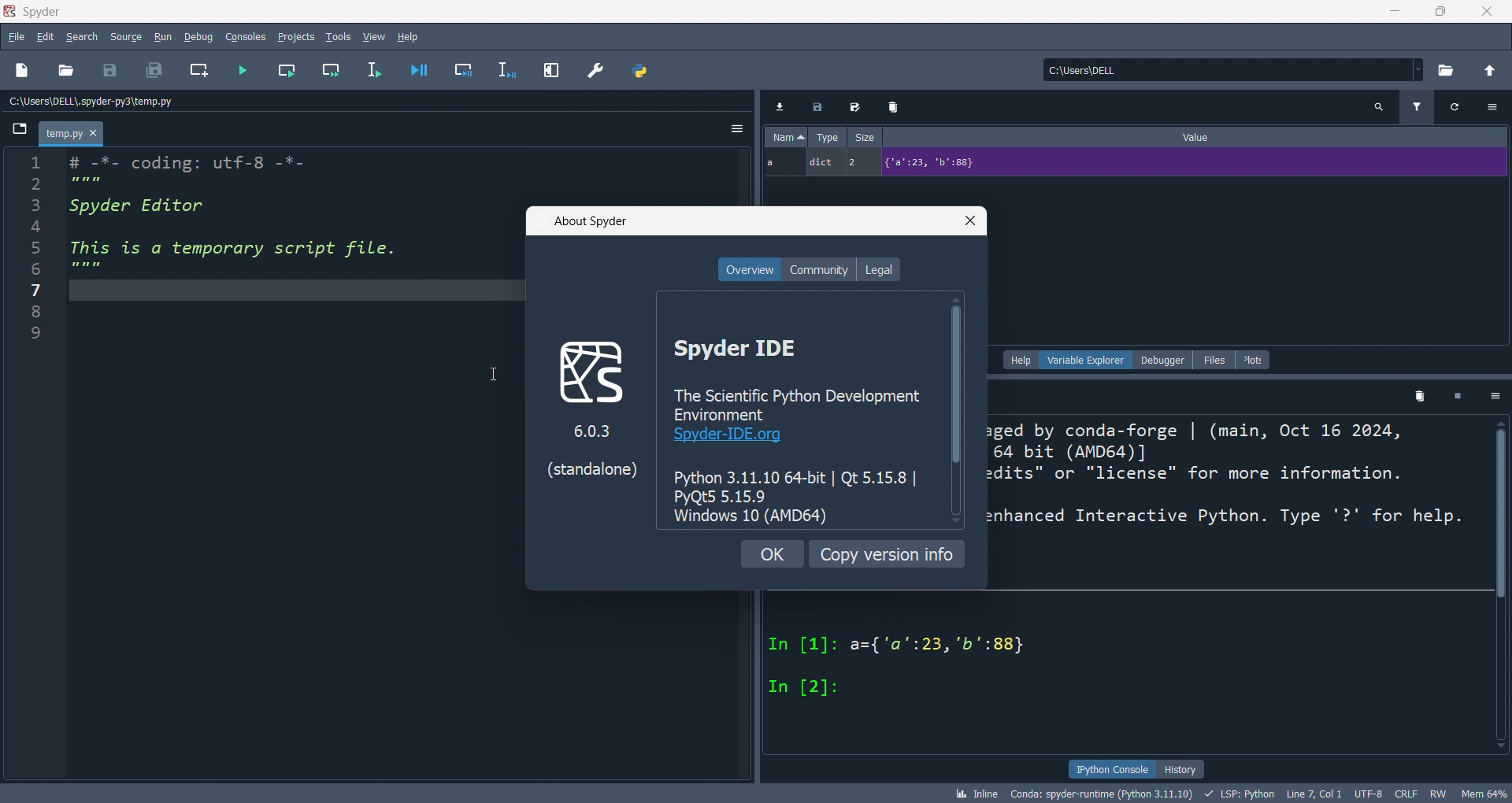 The image size is (1512, 803). Describe the element at coordinates (895, 106) in the screenshot. I see `Delete` at that location.